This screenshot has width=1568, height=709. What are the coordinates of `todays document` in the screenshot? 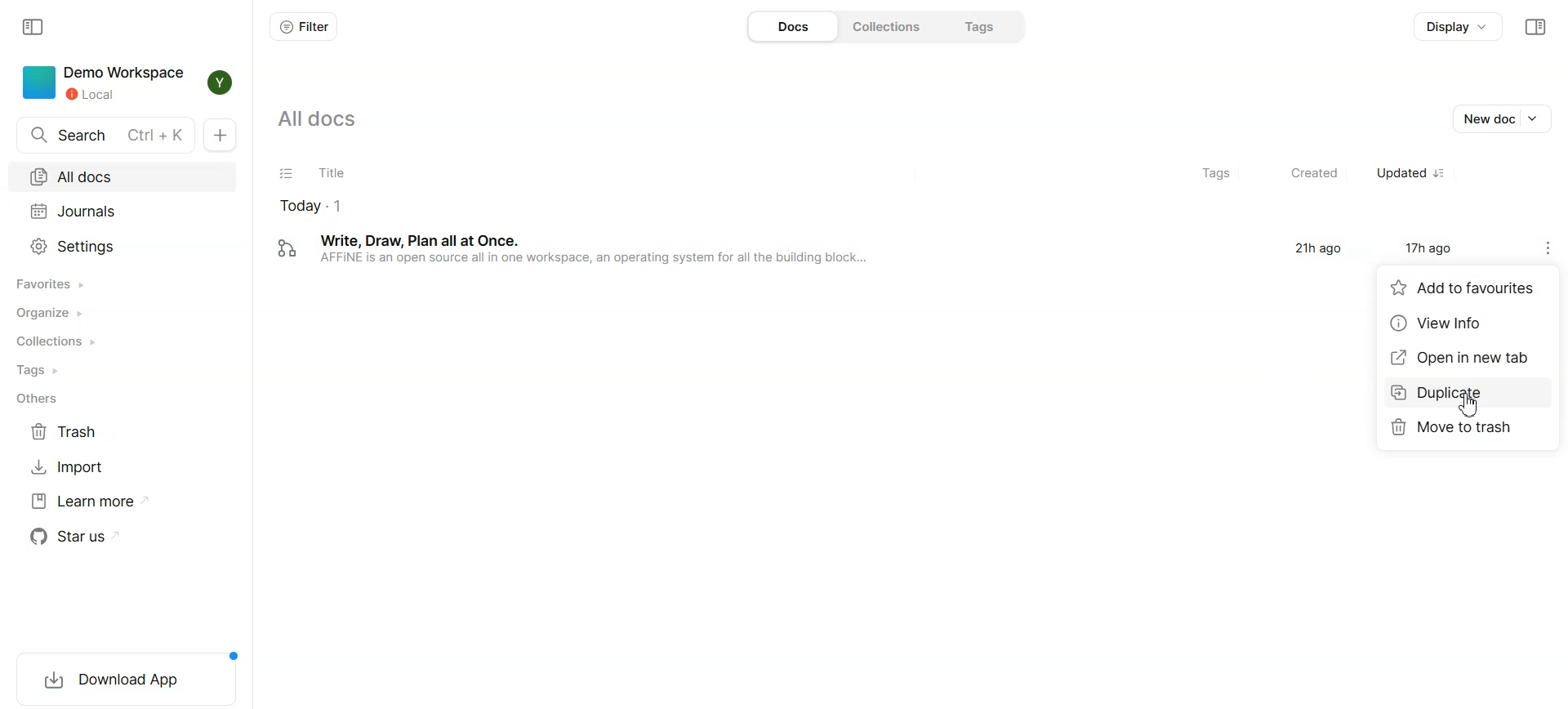 It's located at (317, 207).